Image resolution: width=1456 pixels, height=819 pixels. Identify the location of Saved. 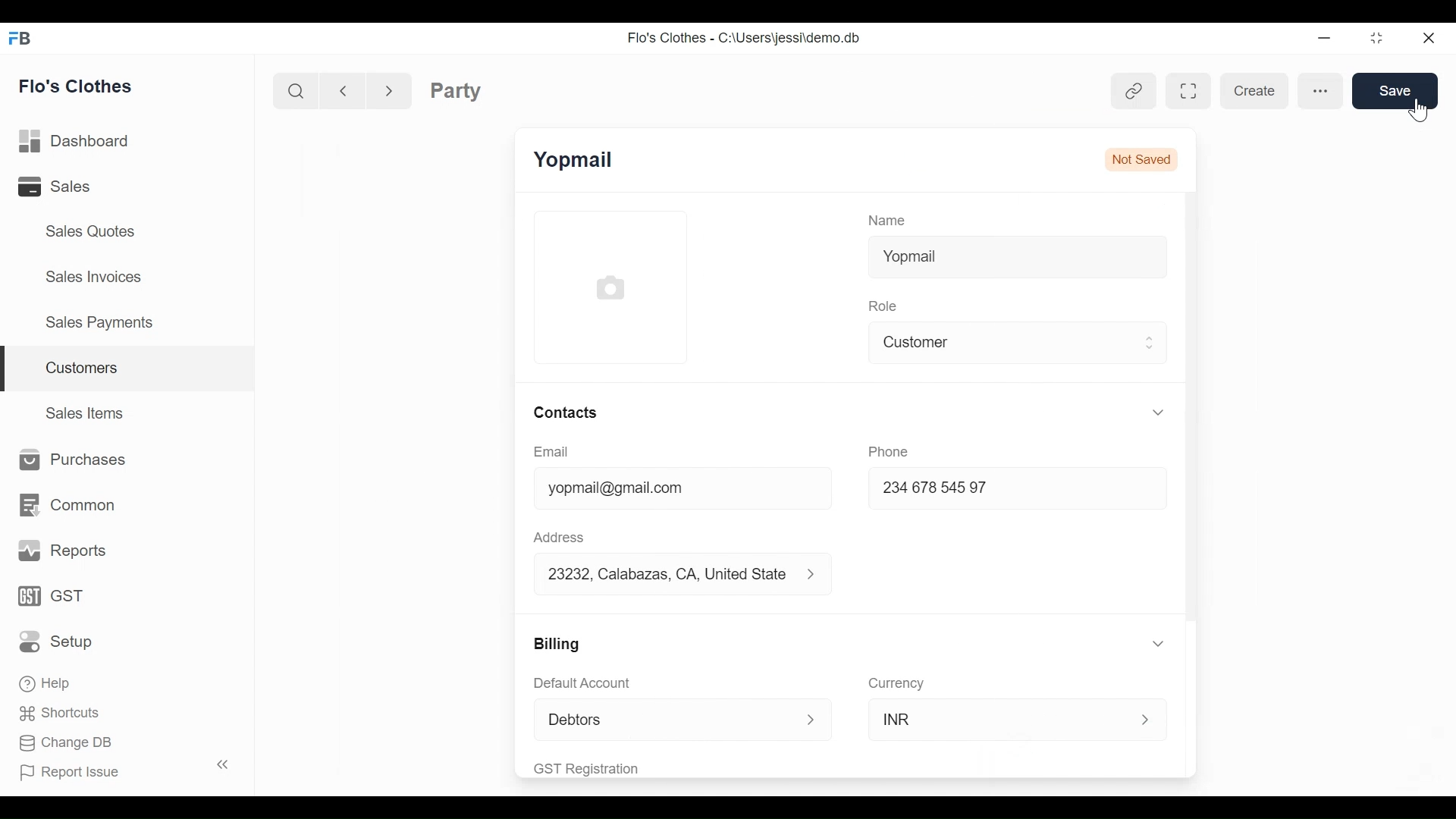
(1395, 90).